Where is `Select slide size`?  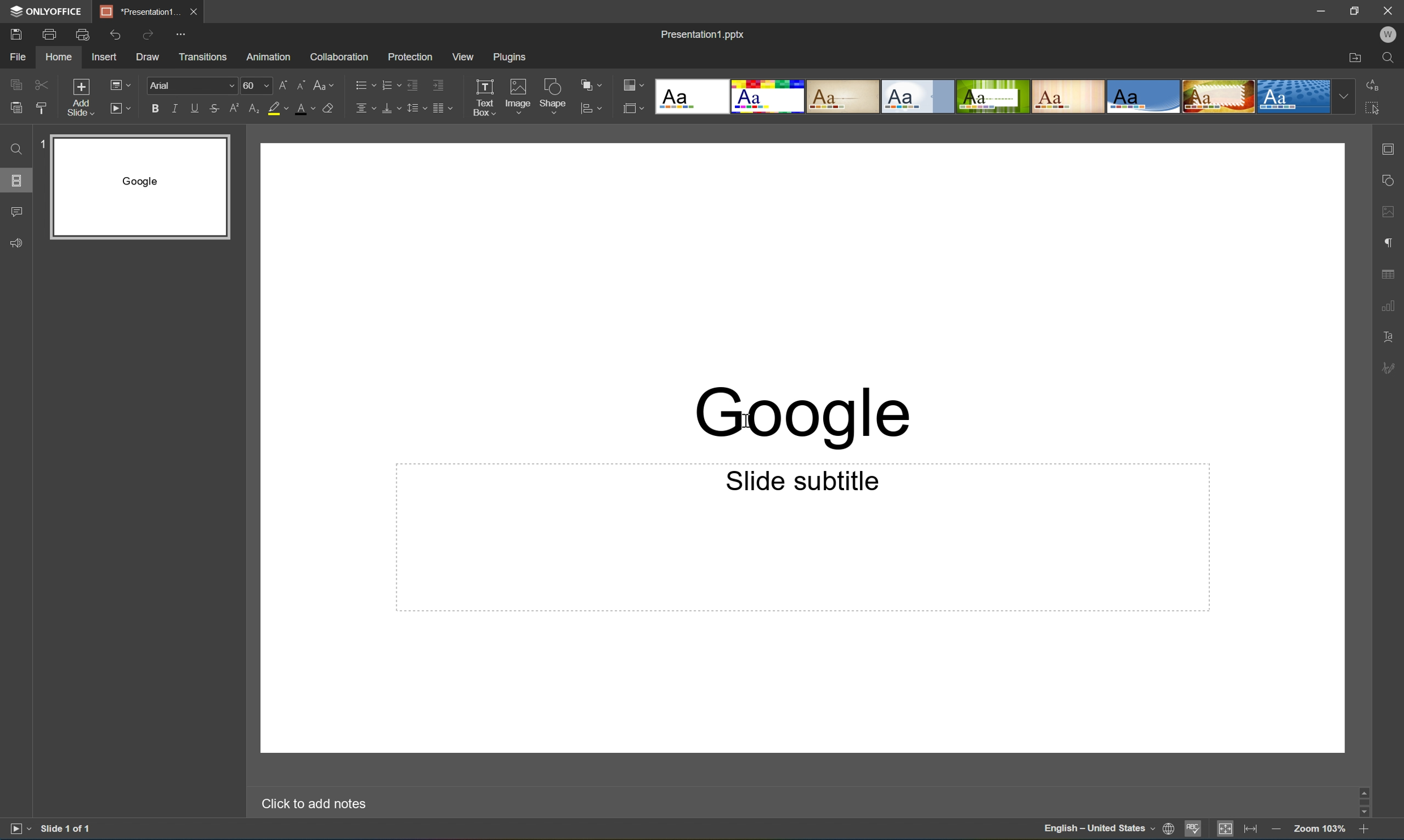
Select slide size is located at coordinates (633, 112).